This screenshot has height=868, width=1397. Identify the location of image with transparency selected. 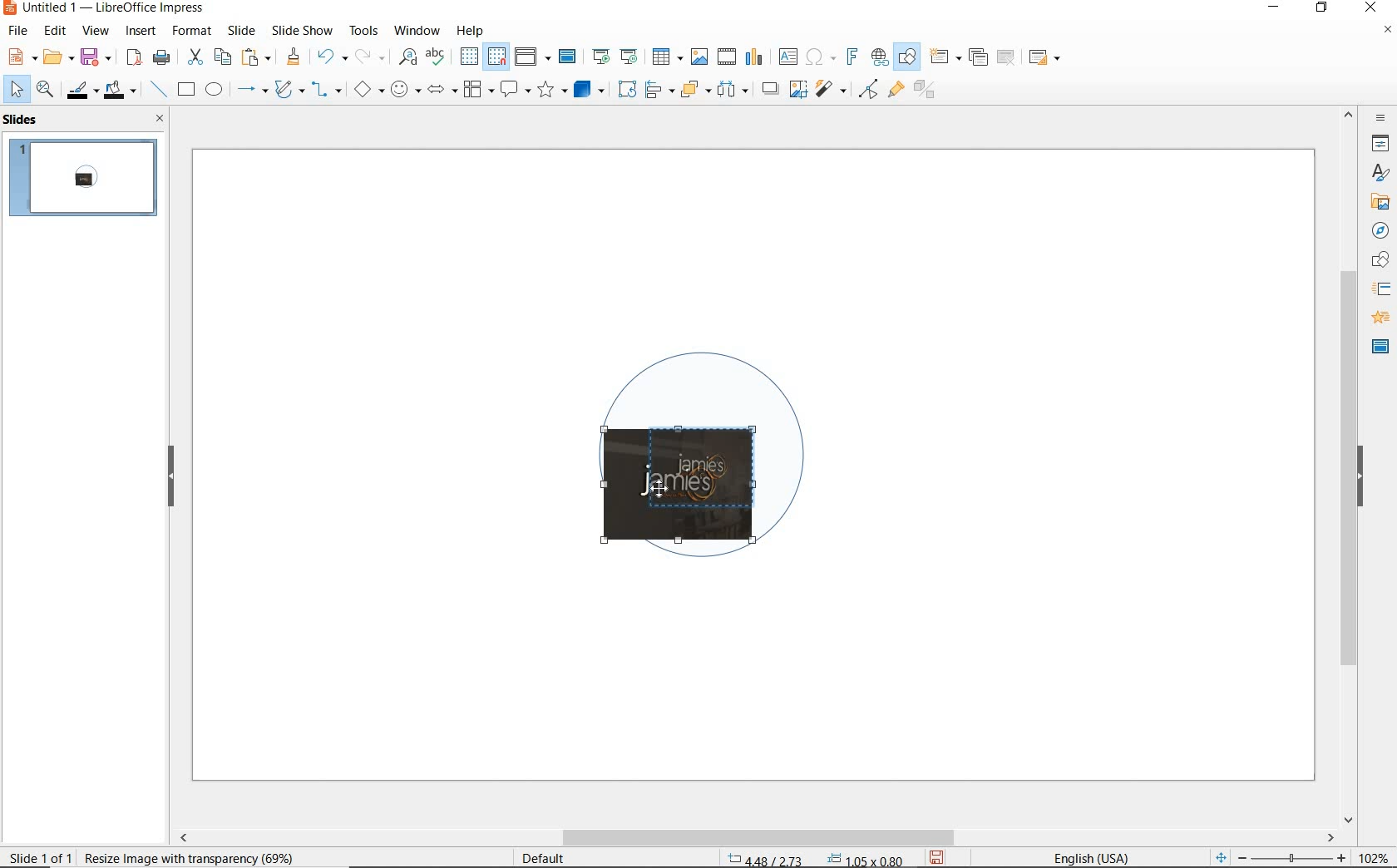
(193, 856).